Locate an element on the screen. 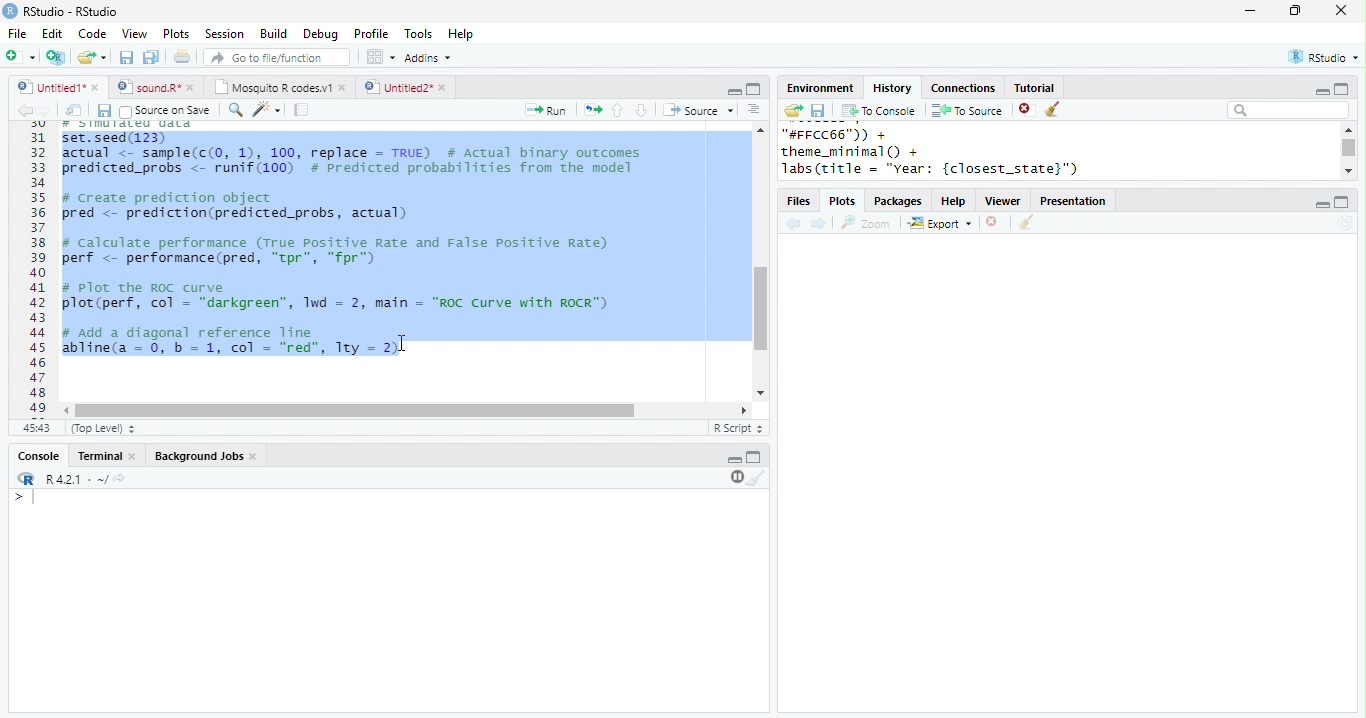 This screenshot has width=1366, height=718. scroll left is located at coordinates (68, 411).